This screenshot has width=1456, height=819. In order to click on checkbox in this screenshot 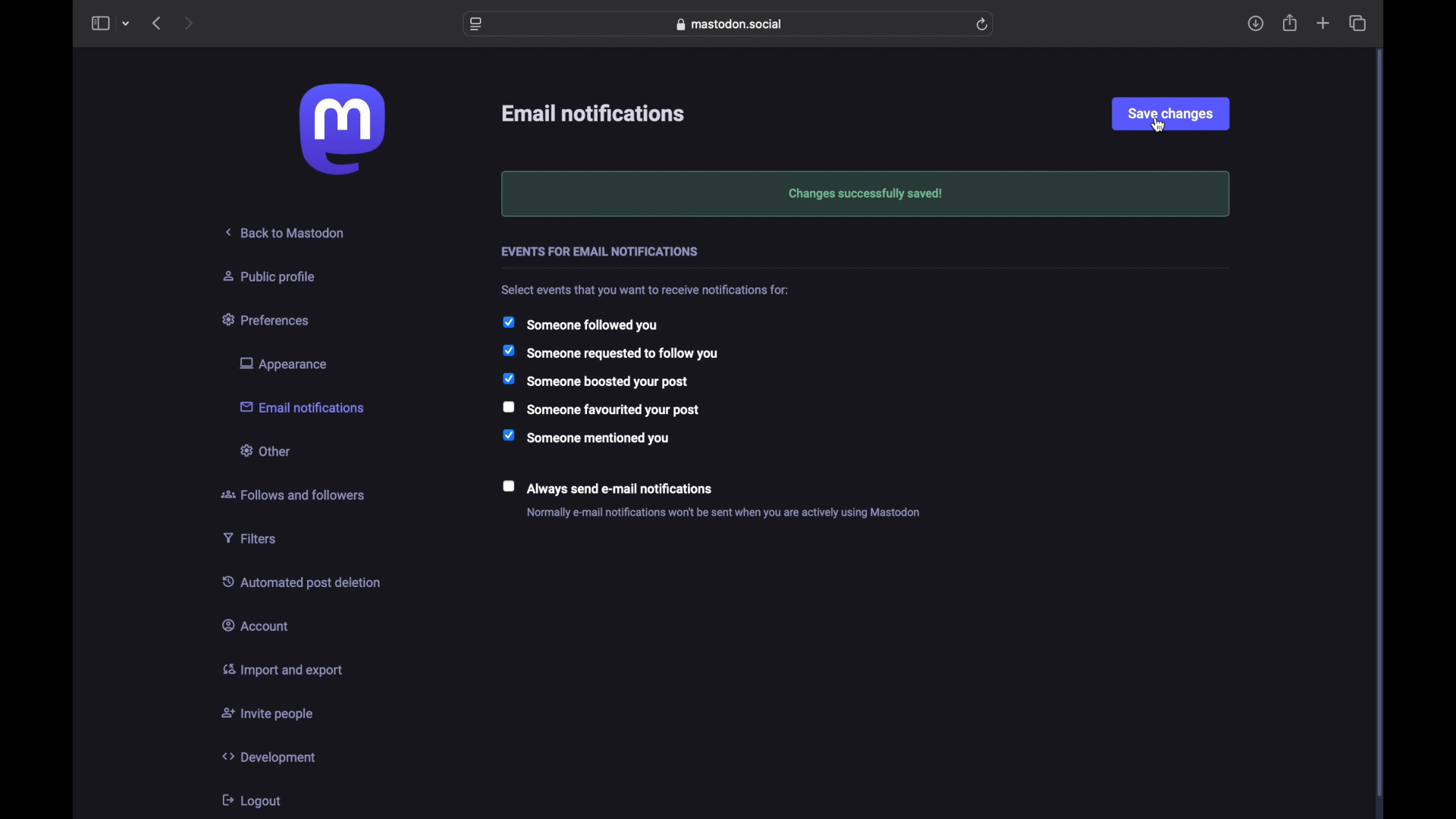, I will do `click(610, 353)`.